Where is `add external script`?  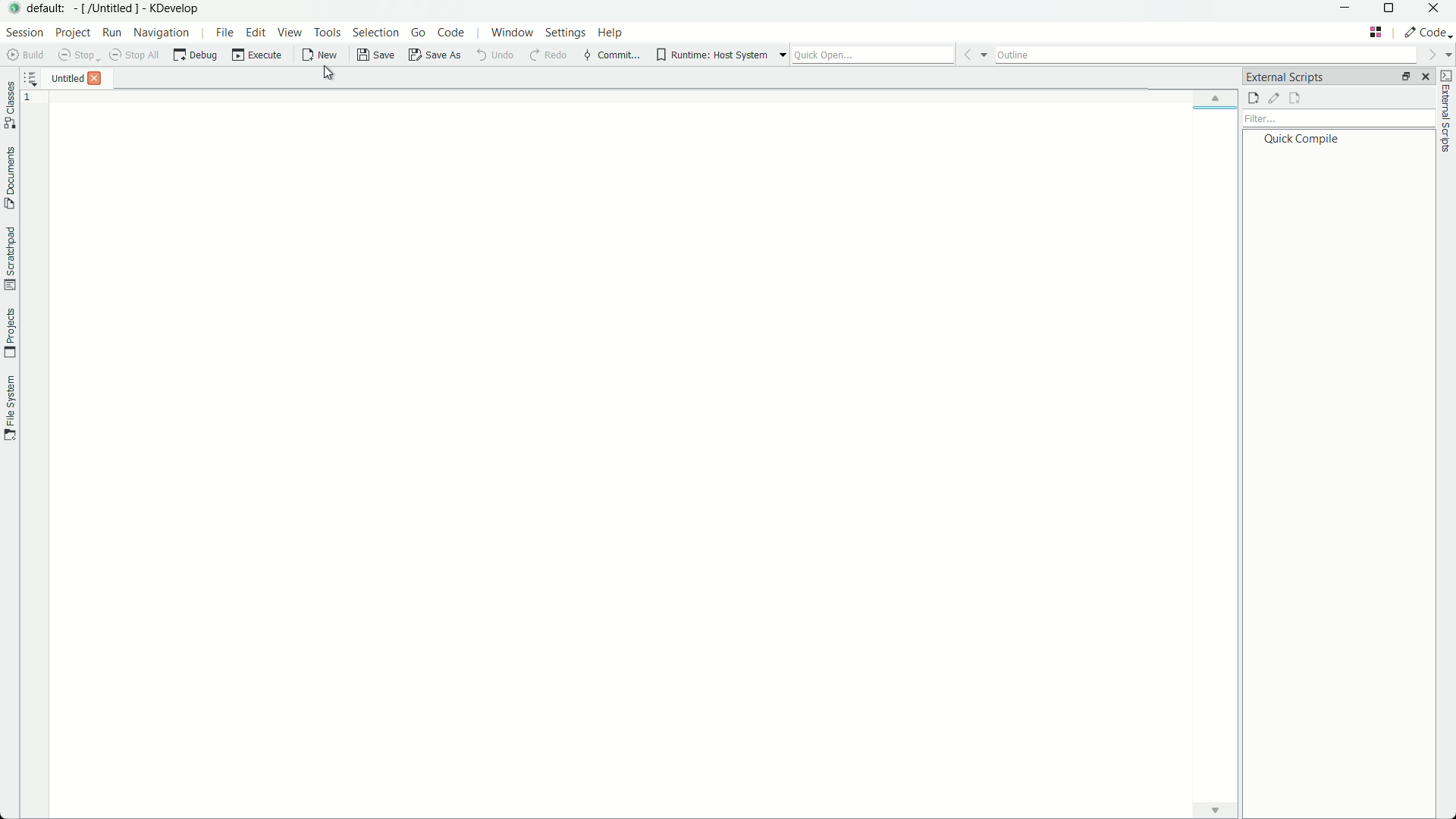
add external script is located at coordinates (1253, 99).